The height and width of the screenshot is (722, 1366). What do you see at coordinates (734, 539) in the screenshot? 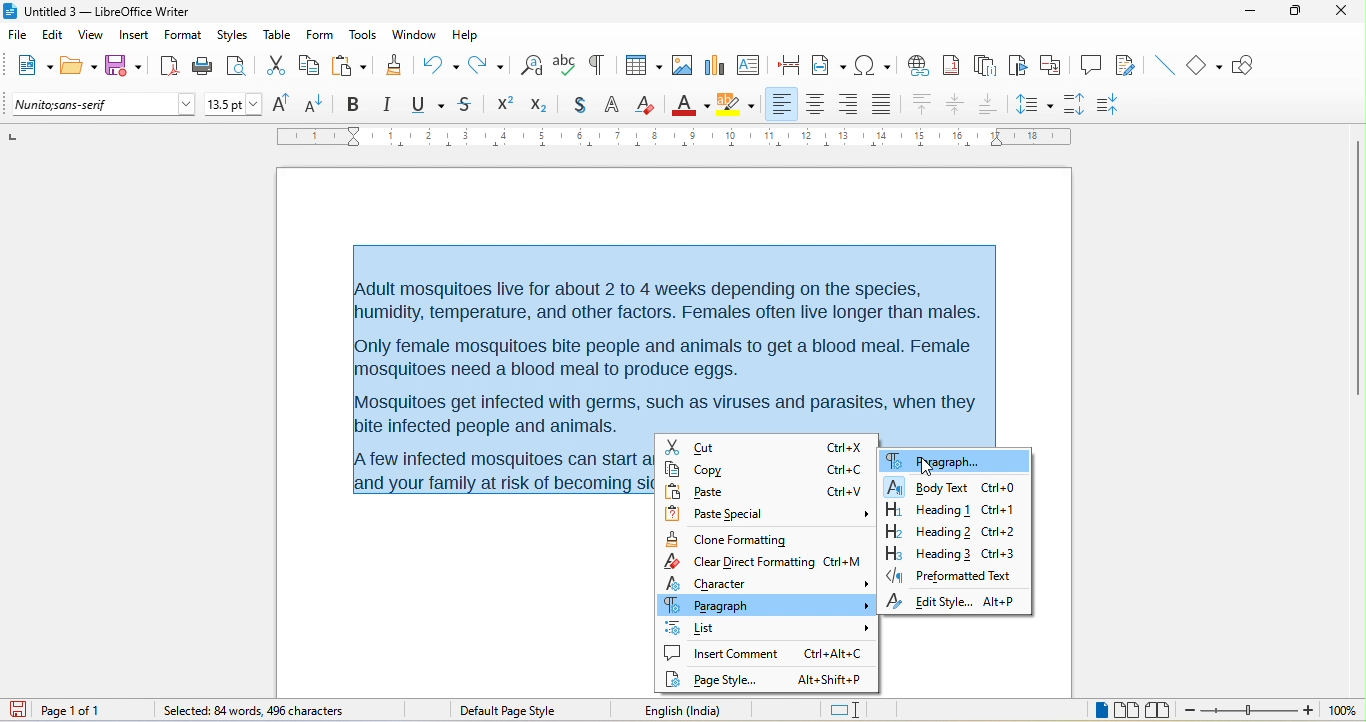
I see `clone formatting` at bounding box center [734, 539].